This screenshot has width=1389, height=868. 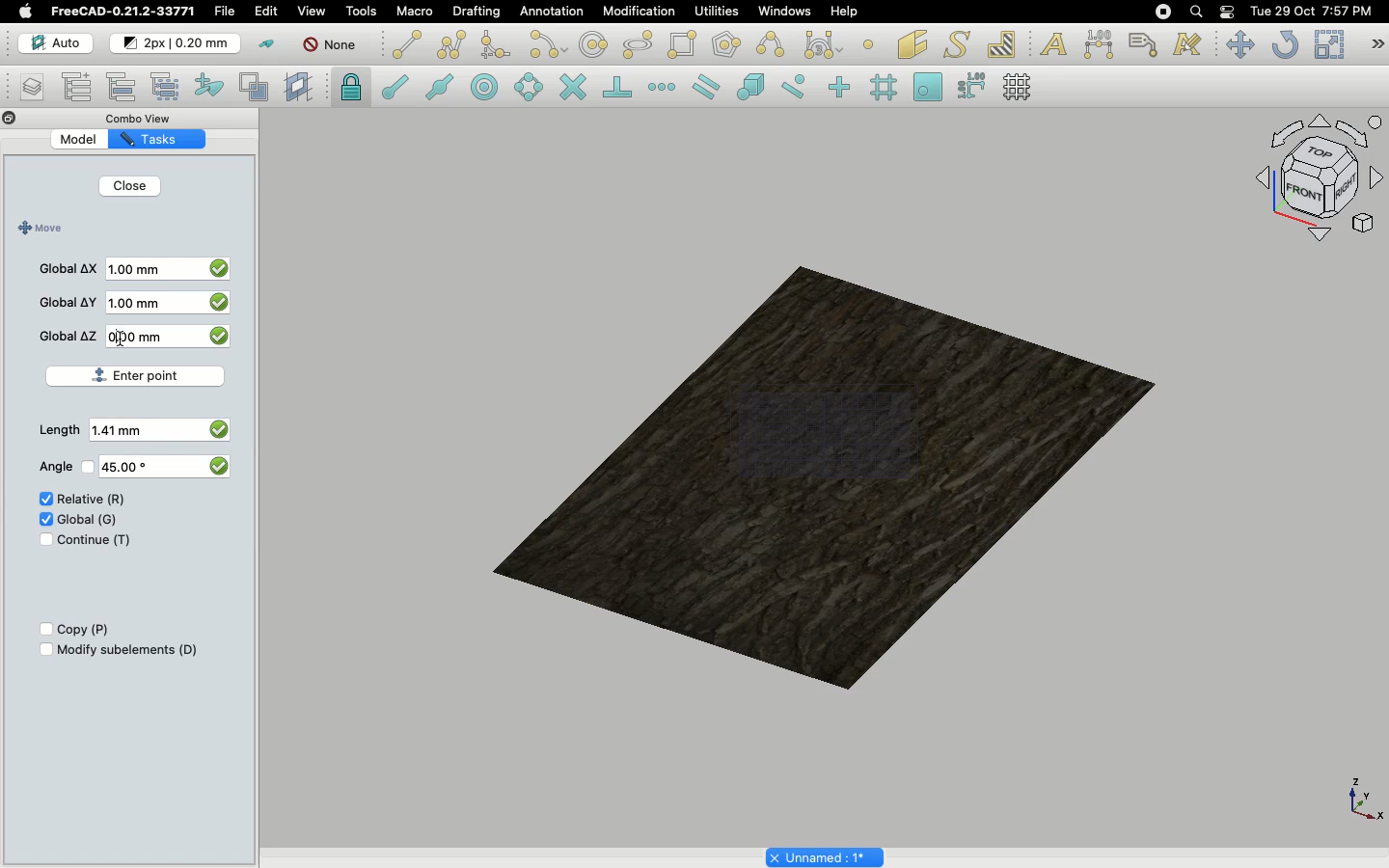 What do you see at coordinates (530, 89) in the screenshot?
I see `Snap angle` at bounding box center [530, 89].